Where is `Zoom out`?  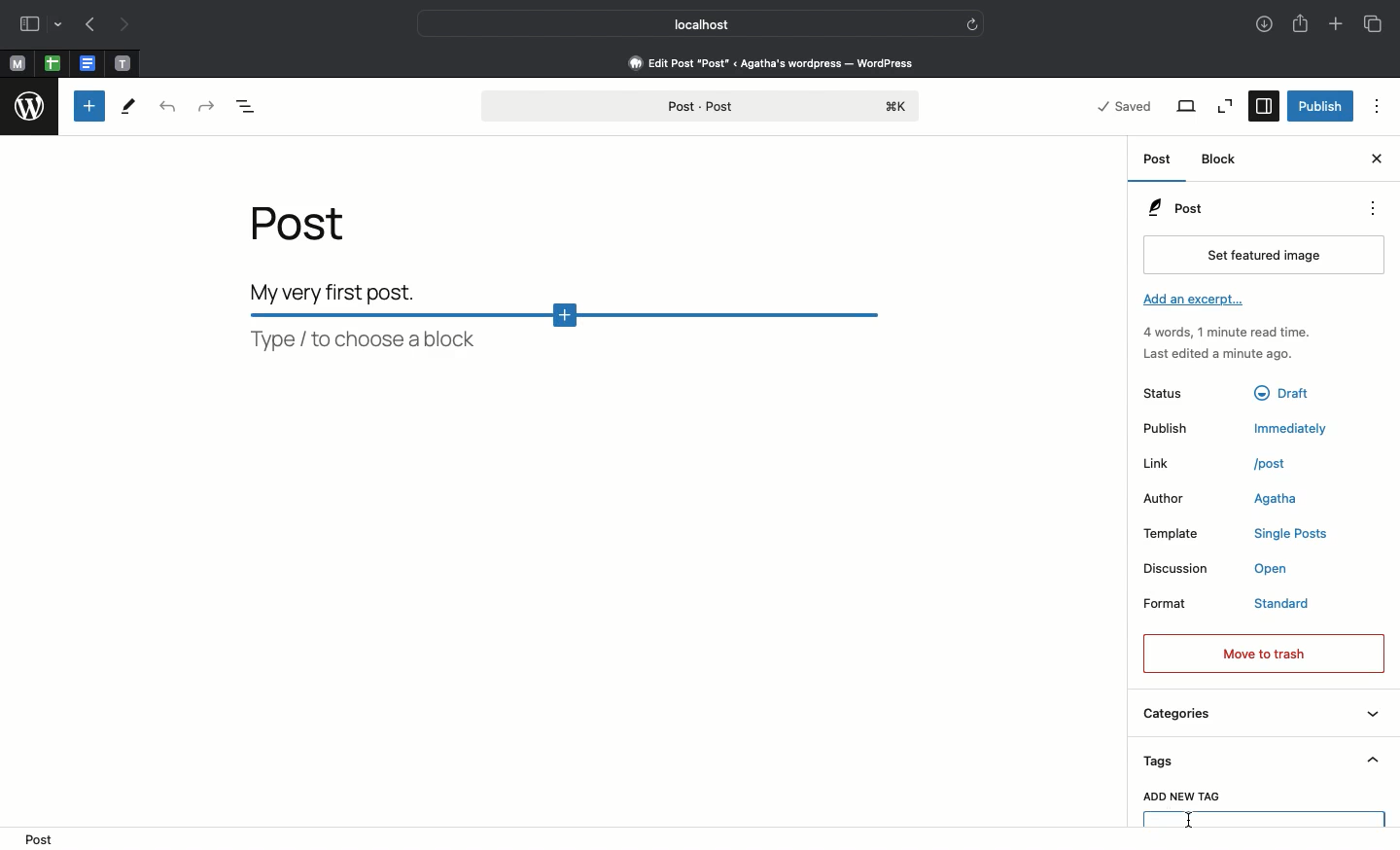 Zoom out is located at coordinates (1225, 105).